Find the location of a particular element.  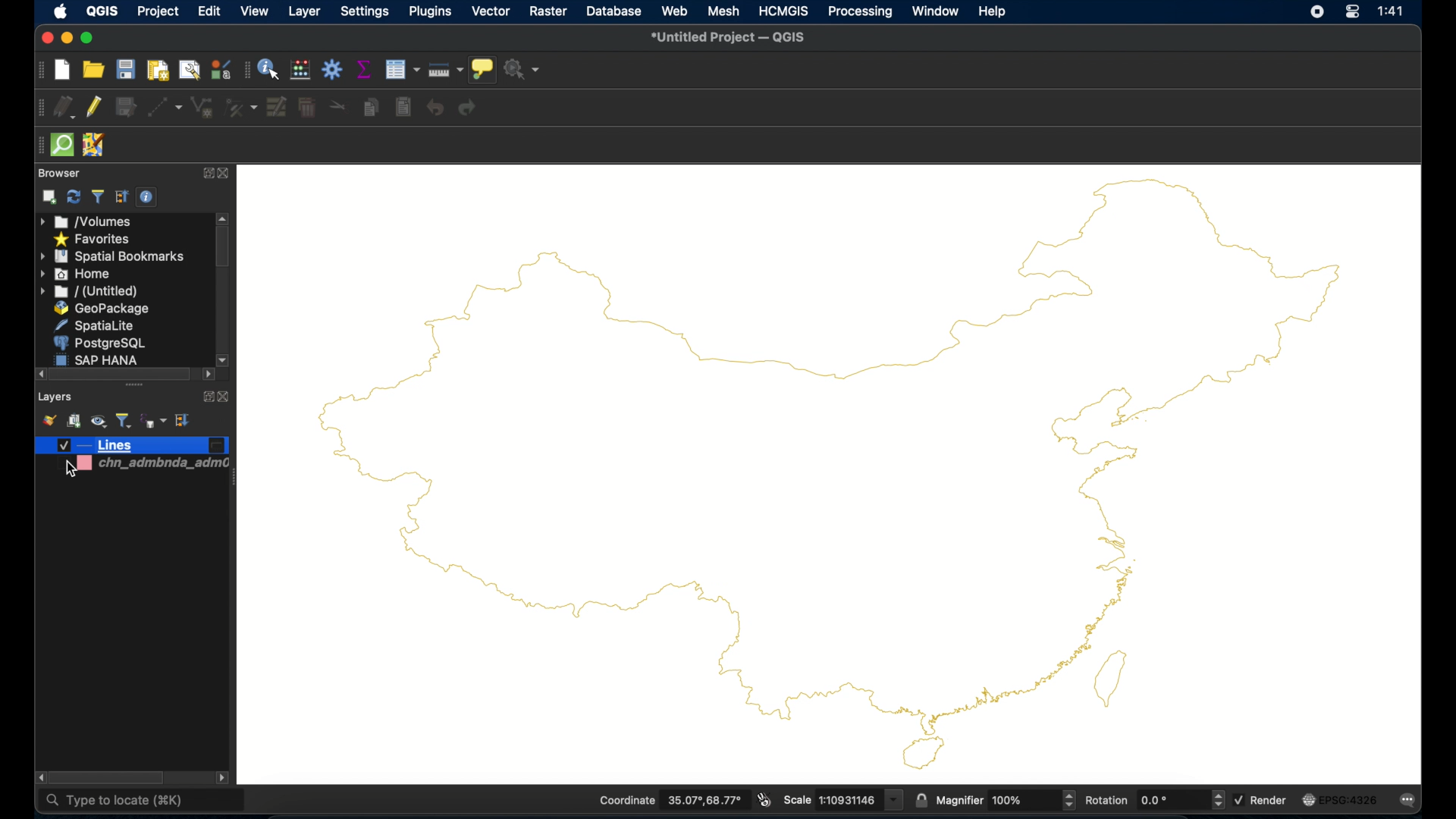

attributes toolbar is located at coordinates (245, 71).